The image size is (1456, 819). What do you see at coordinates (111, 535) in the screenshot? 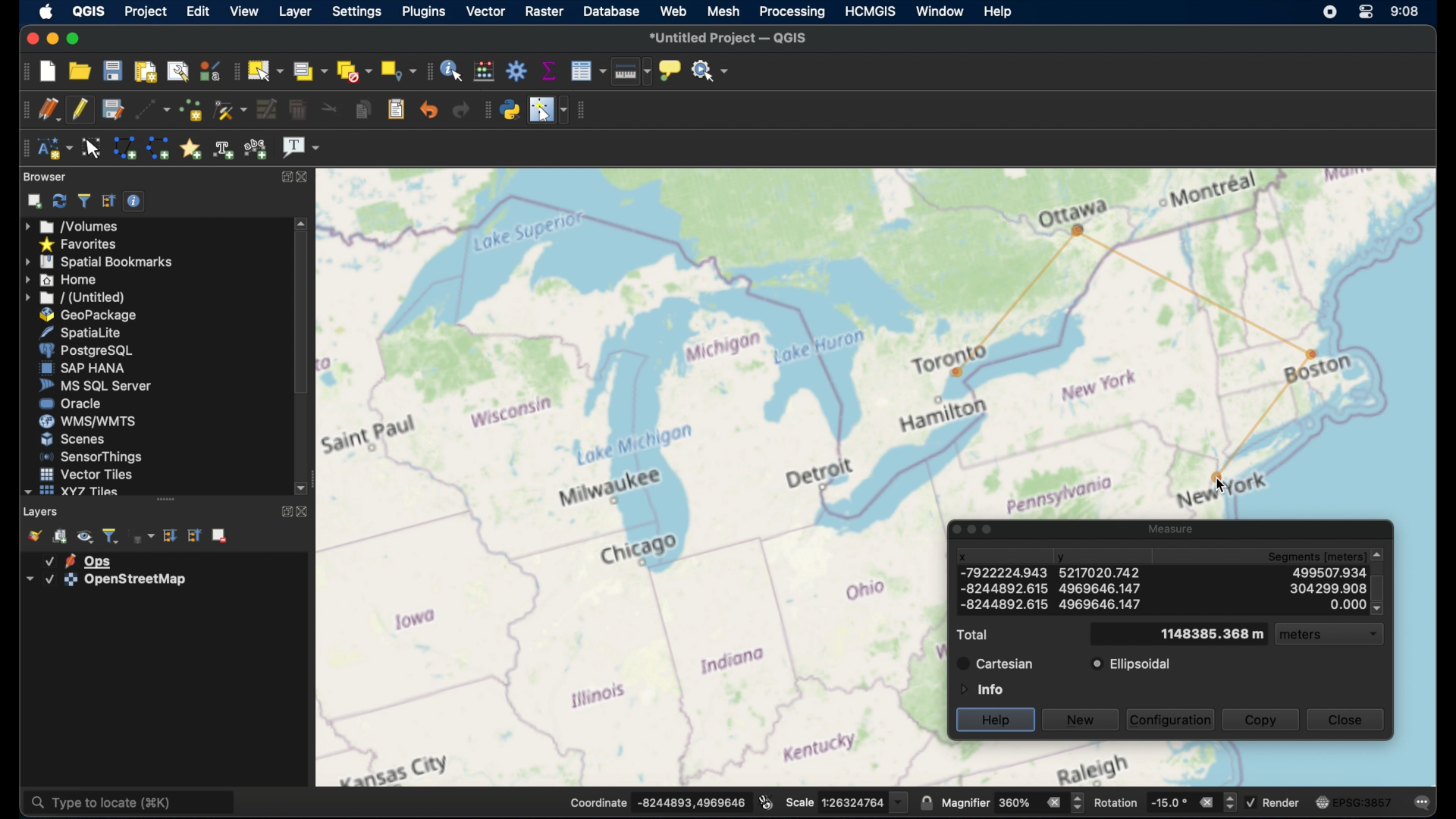
I see `filter legend` at bounding box center [111, 535].